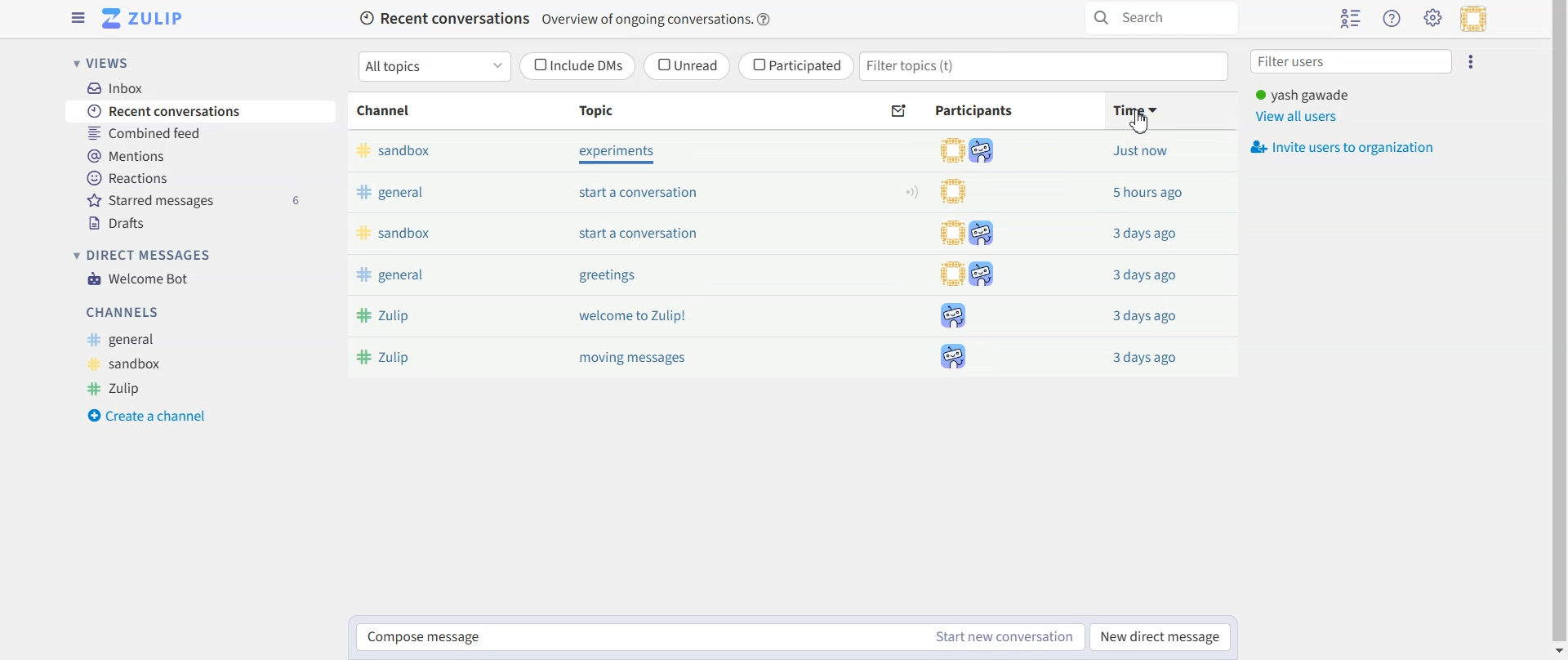 Image resolution: width=1568 pixels, height=660 pixels. I want to click on Include DMs, so click(578, 66).